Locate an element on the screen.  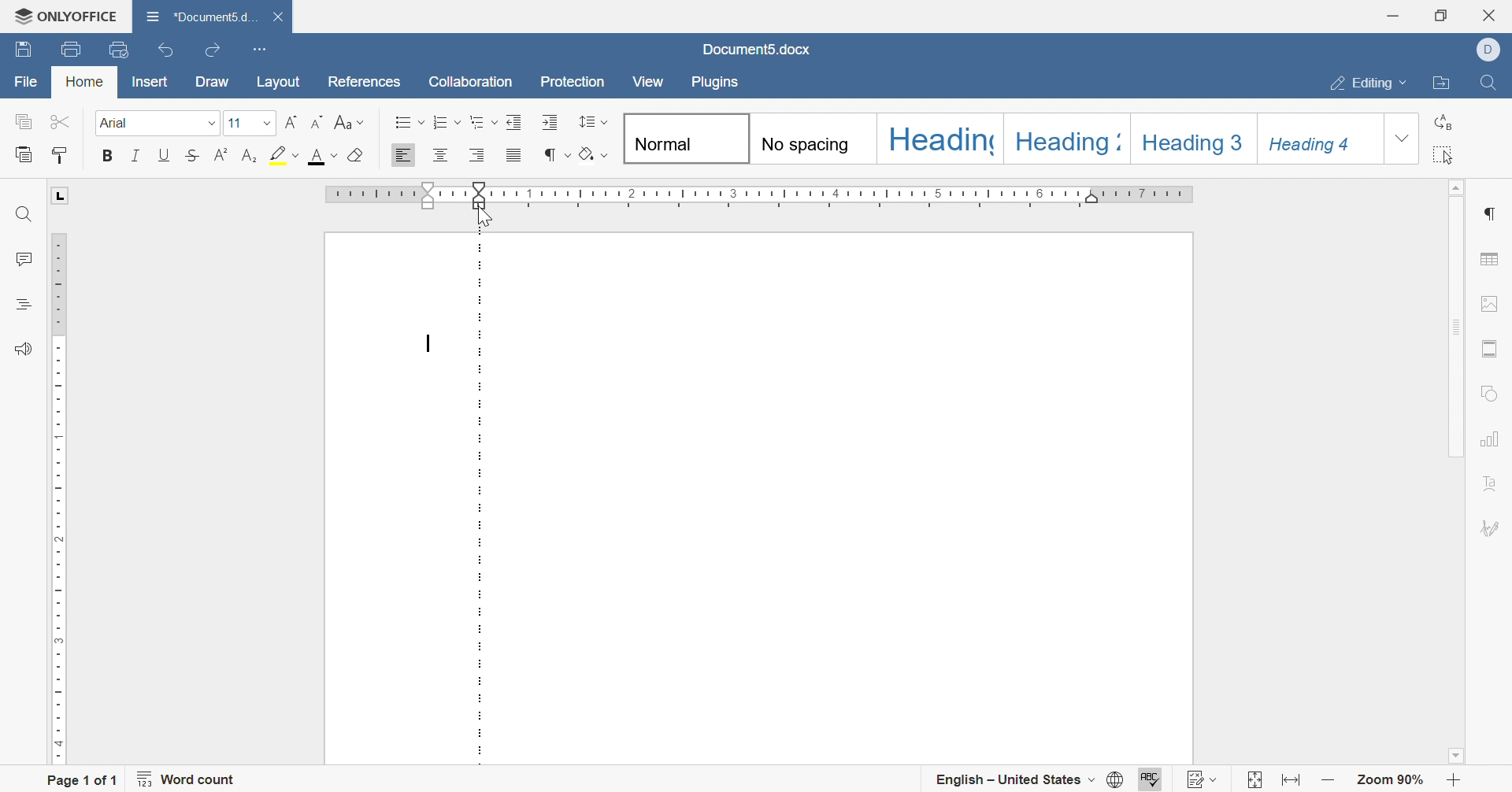
types of headings is located at coordinates (1002, 139).